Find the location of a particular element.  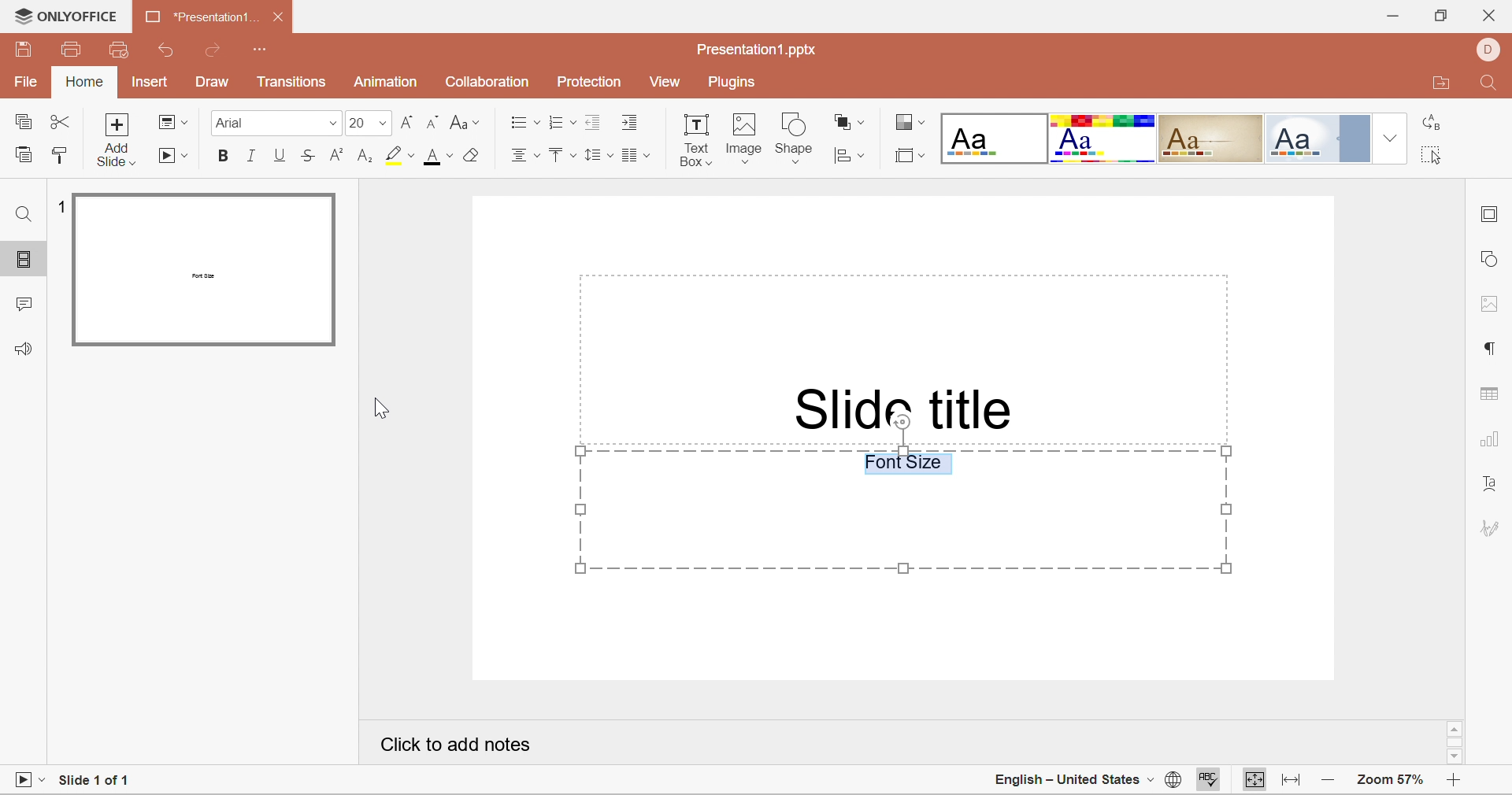

chart settings is located at coordinates (1492, 443).